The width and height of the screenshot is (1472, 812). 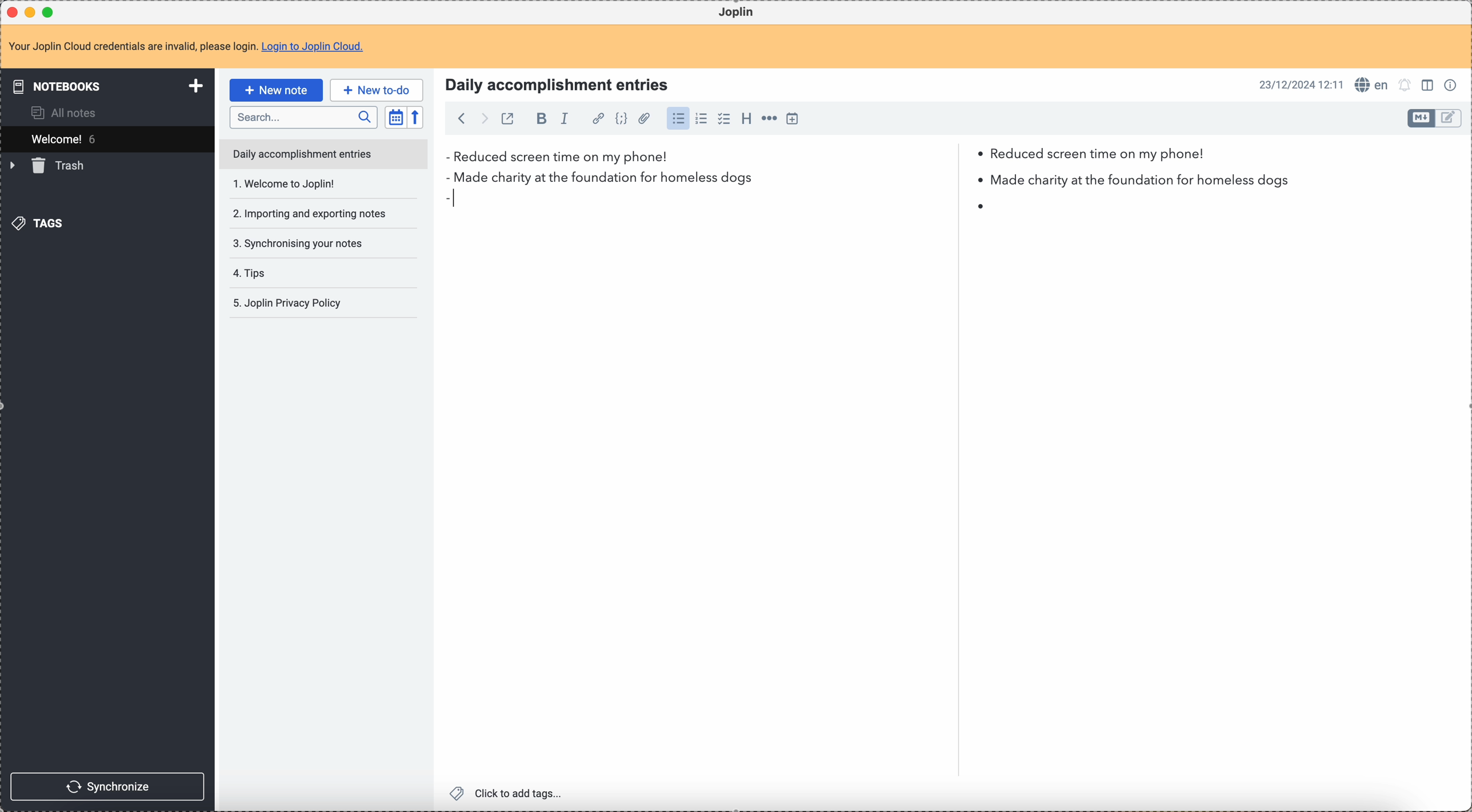 What do you see at coordinates (289, 304) in the screenshot?
I see `5. Joplin privacy policy` at bounding box center [289, 304].